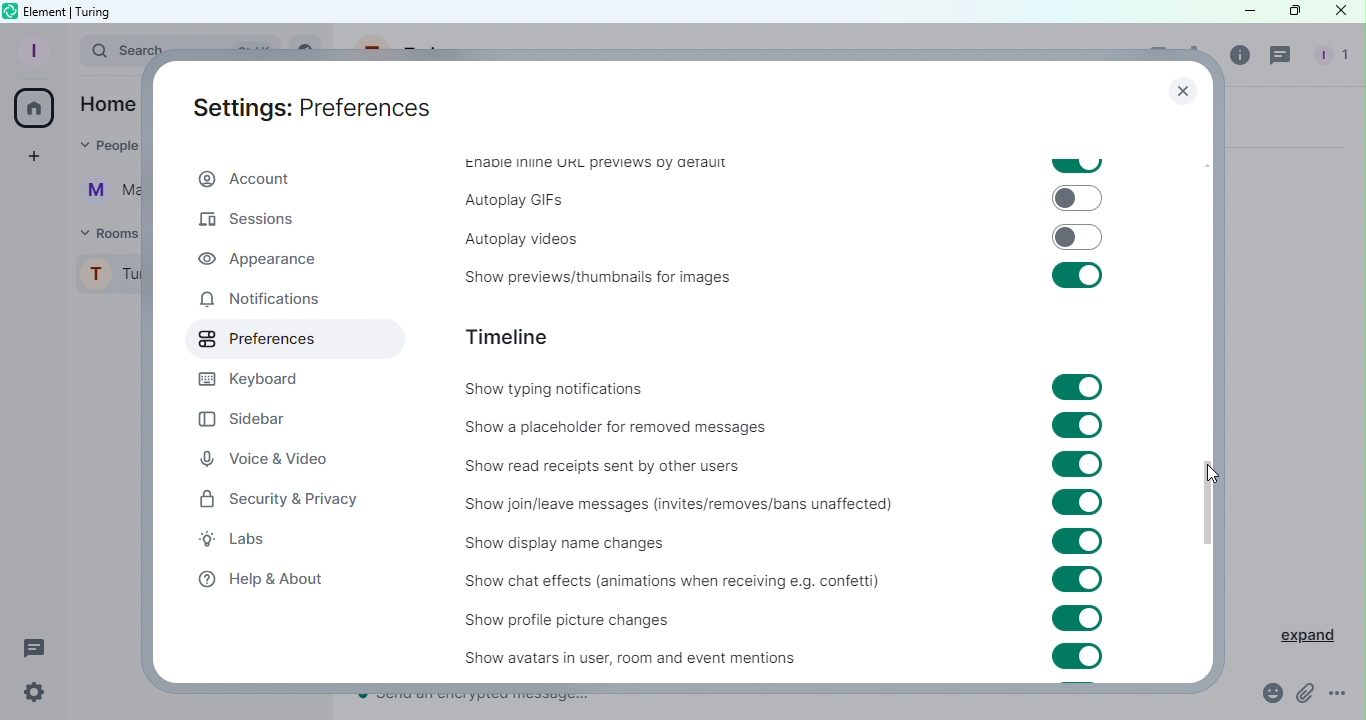 Image resolution: width=1366 pixels, height=720 pixels. What do you see at coordinates (266, 458) in the screenshot?
I see `Voice and video` at bounding box center [266, 458].